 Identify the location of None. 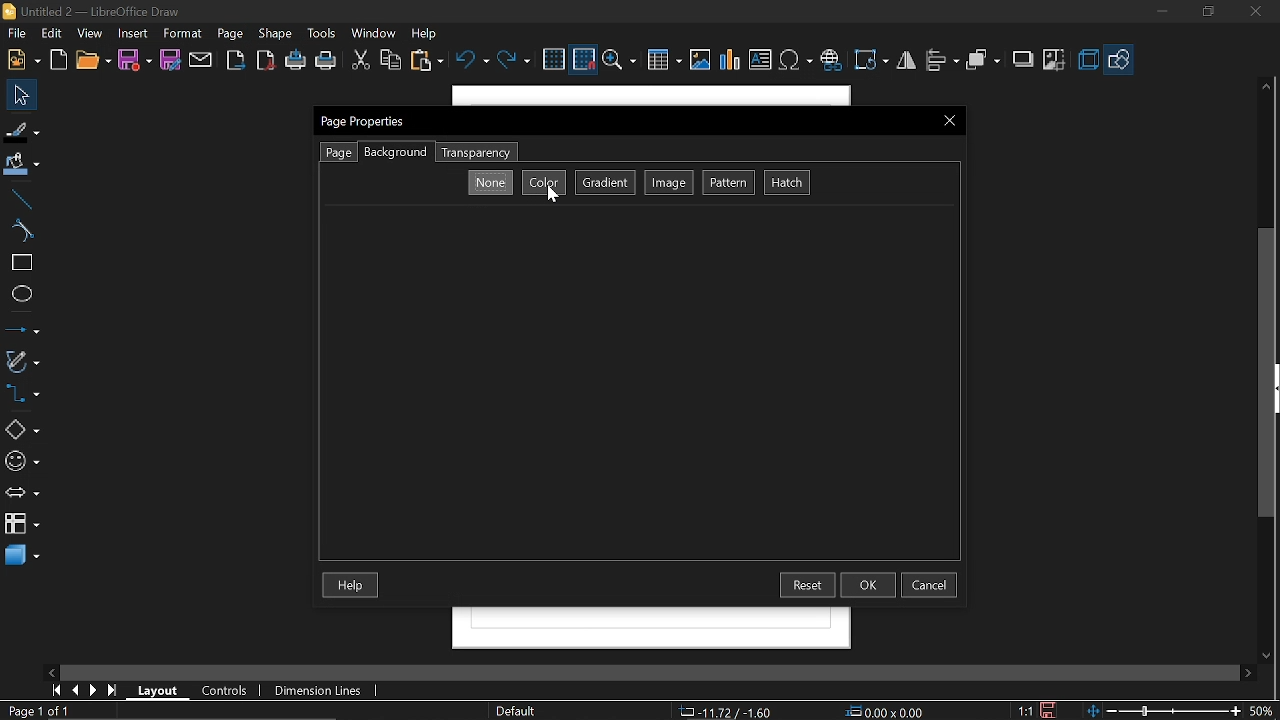
(490, 183).